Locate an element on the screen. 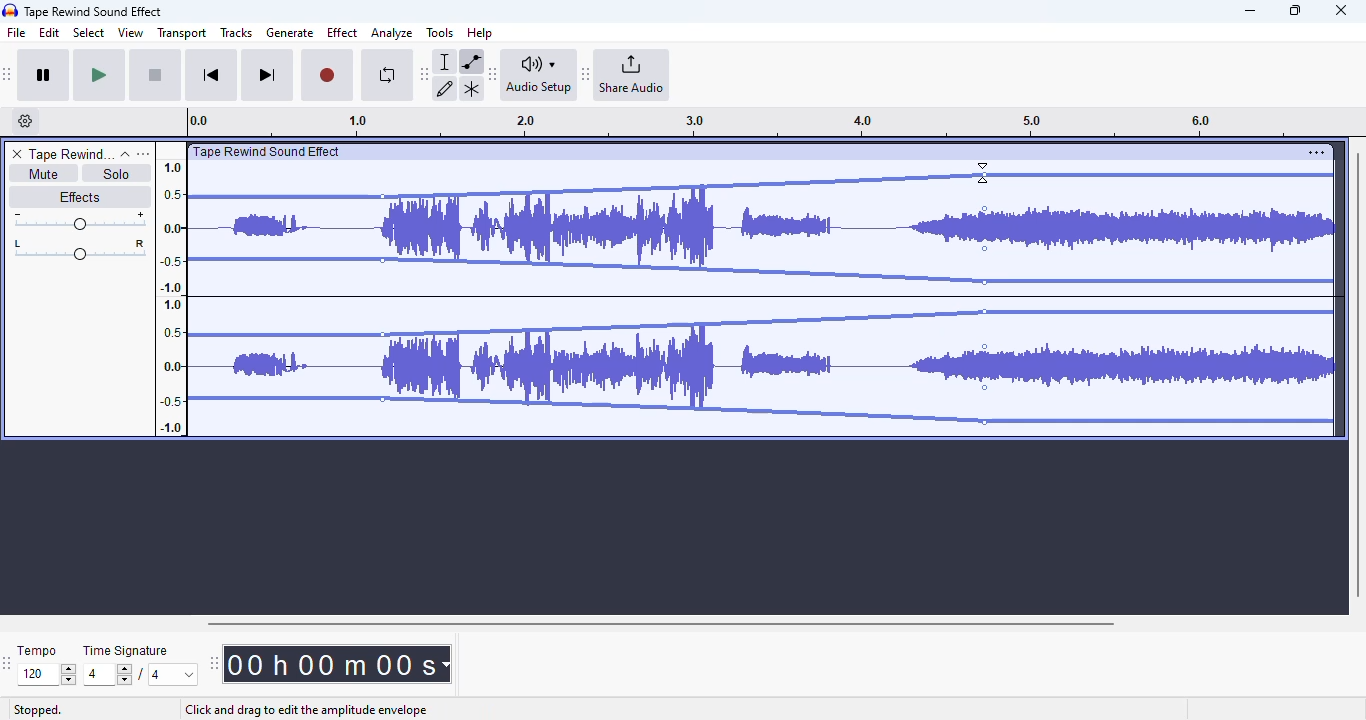  selection tool is located at coordinates (447, 61).